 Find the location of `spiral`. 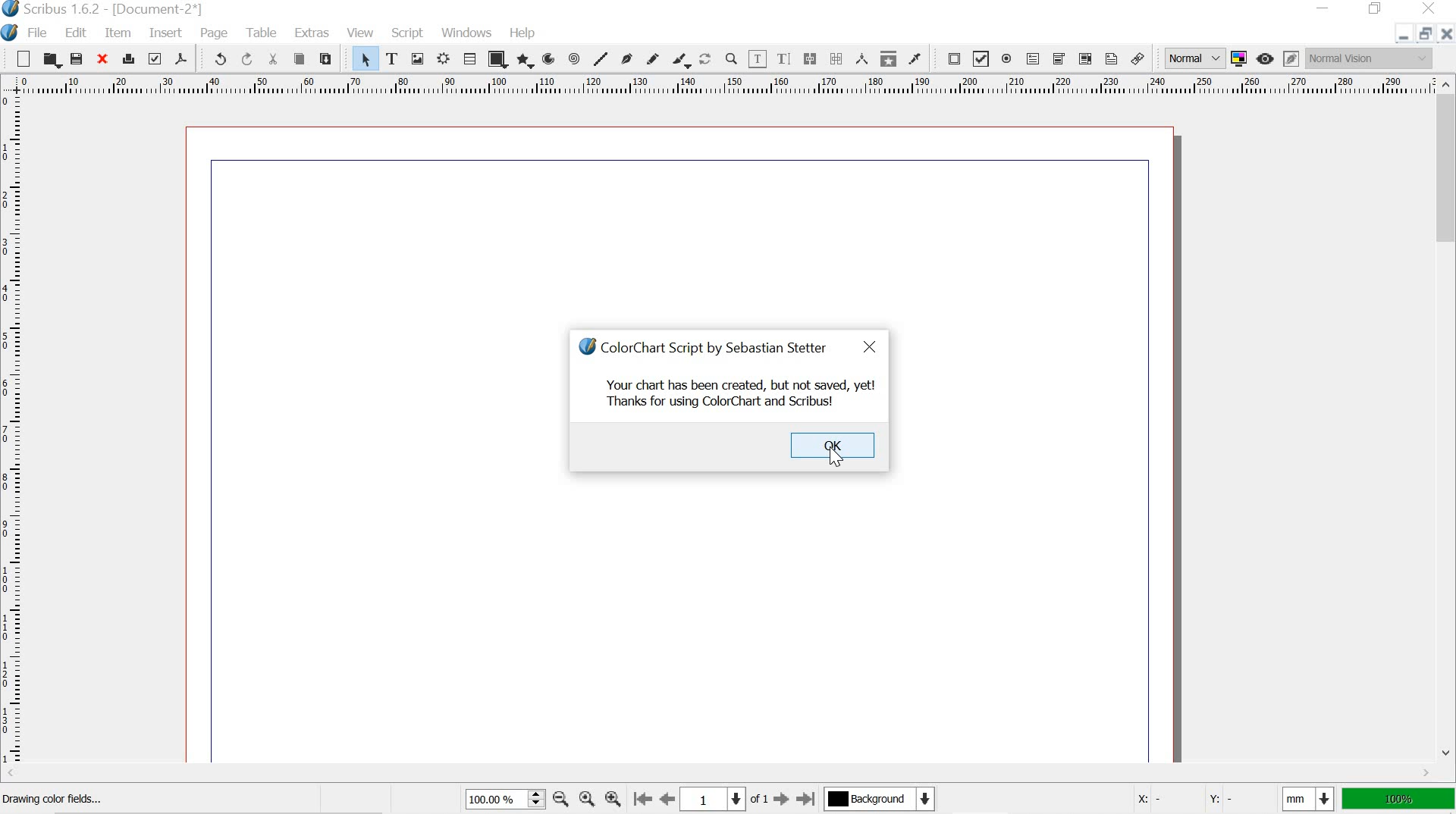

spiral is located at coordinates (573, 58).